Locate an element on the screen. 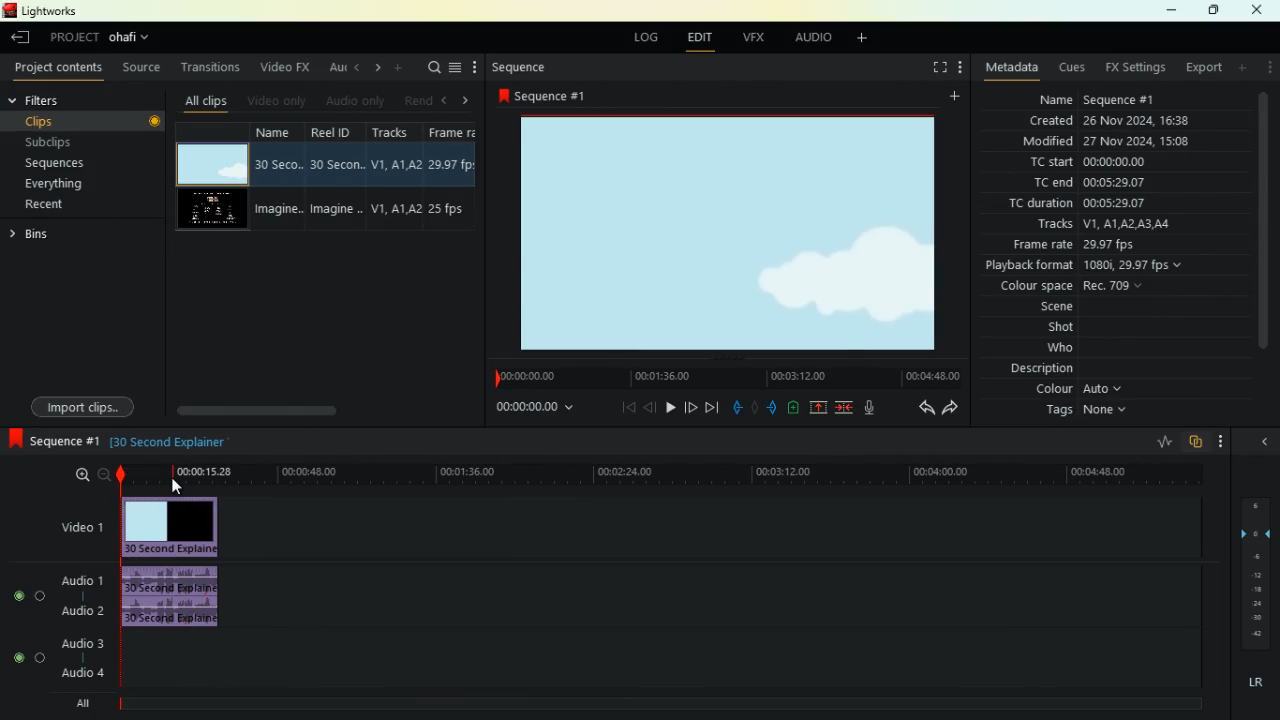 The width and height of the screenshot is (1280, 720). time is located at coordinates (524, 410).